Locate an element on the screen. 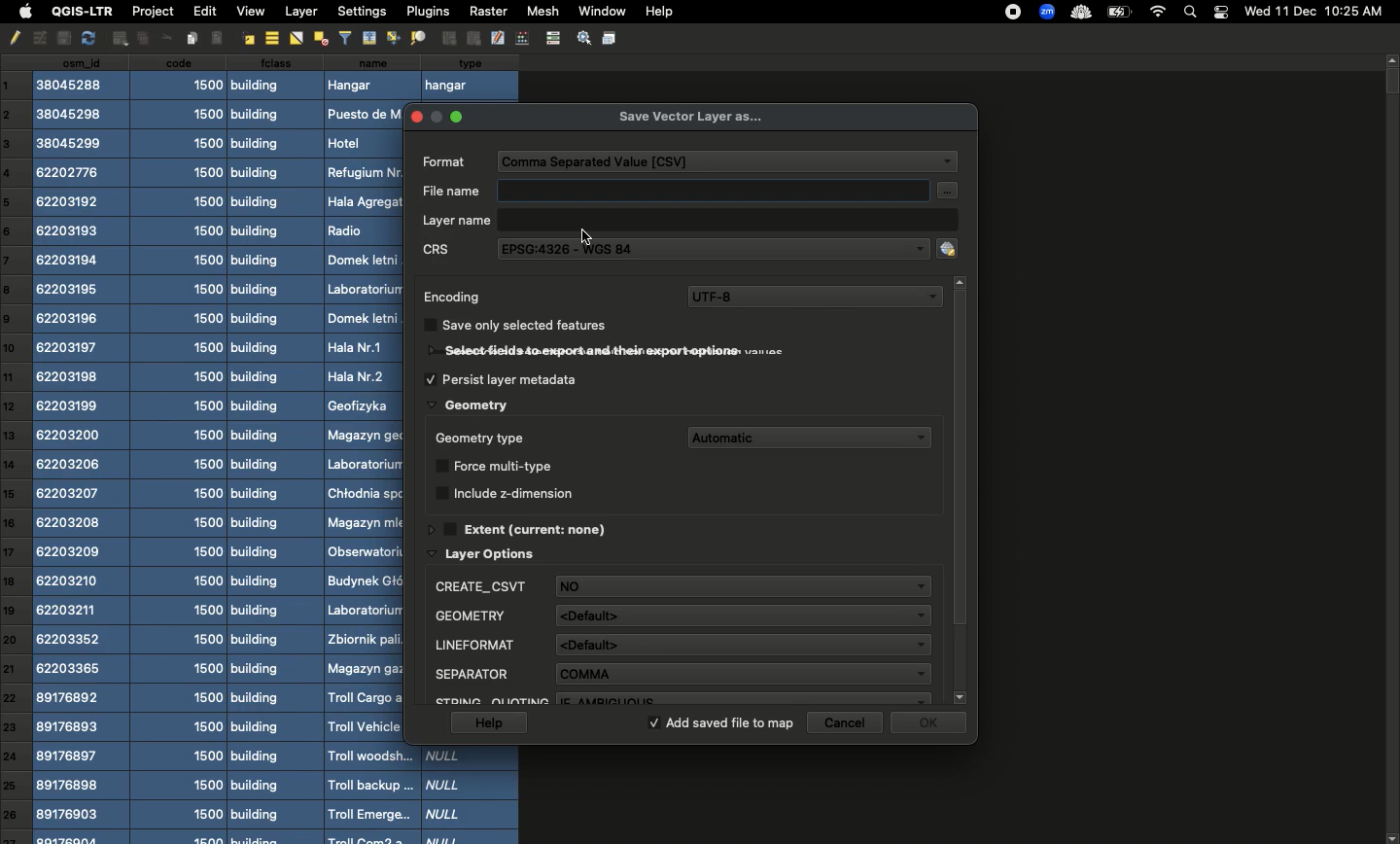  close is located at coordinates (419, 114).